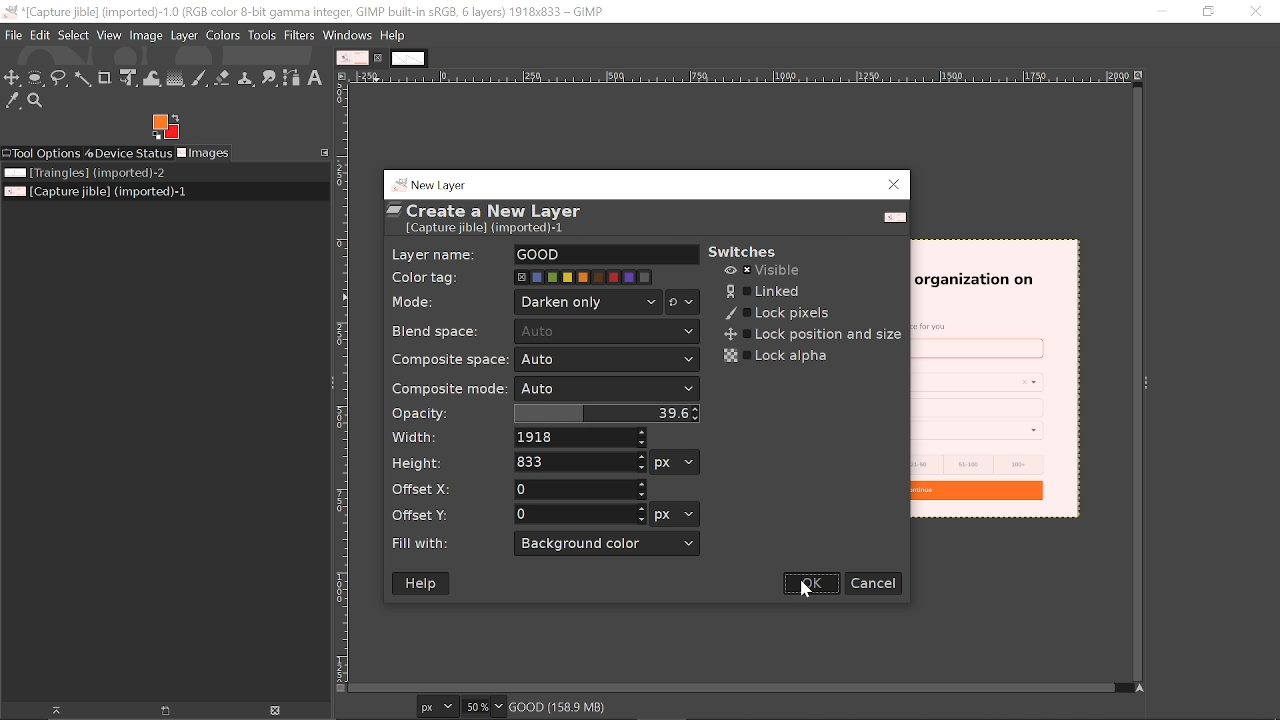  What do you see at coordinates (1155, 11) in the screenshot?
I see `minimize` at bounding box center [1155, 11].